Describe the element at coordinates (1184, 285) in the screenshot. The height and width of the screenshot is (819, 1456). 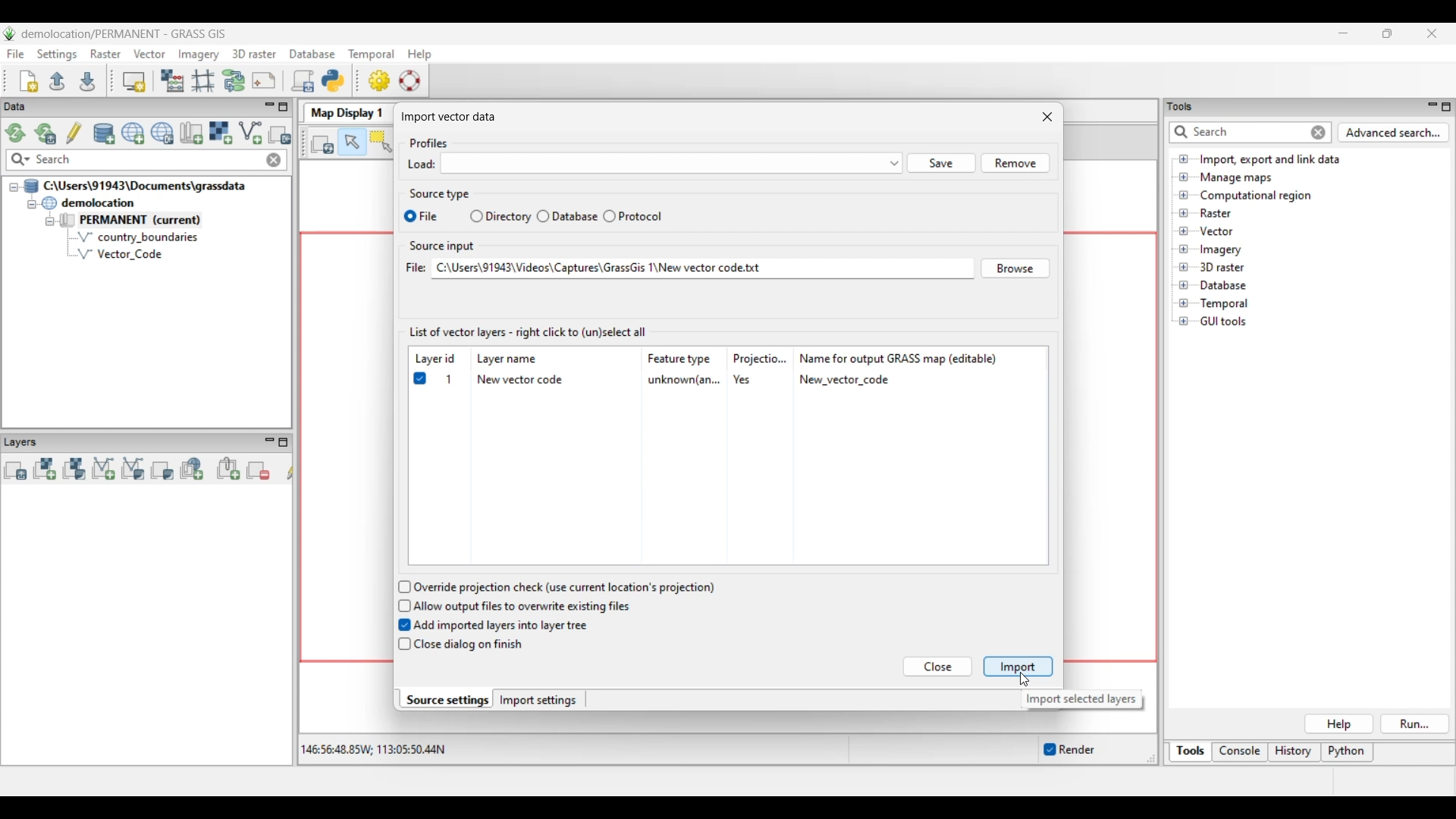
I see `Click to open Database` at that location.